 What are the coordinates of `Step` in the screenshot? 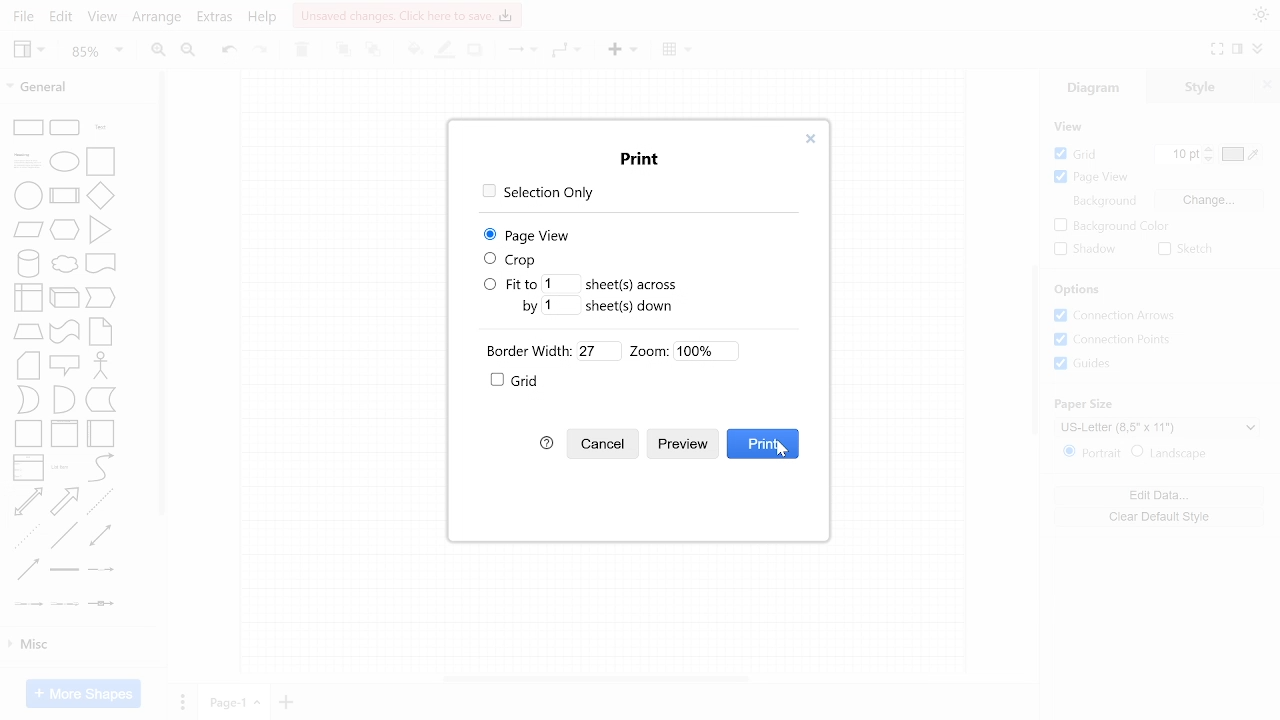 It's located at (100, 298).